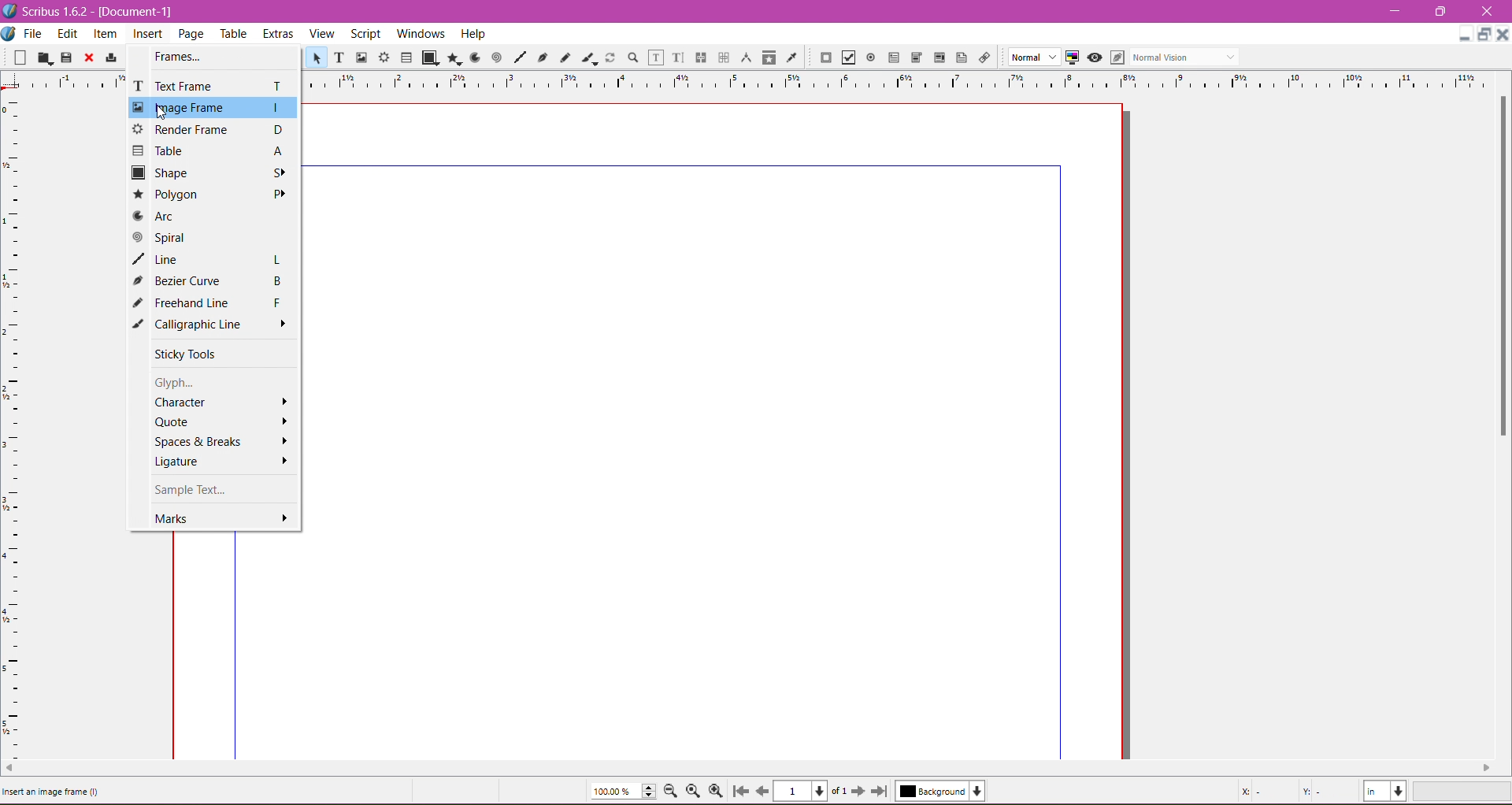 Image resolution: width=1512 pixels, height=805 pixels. Describe the element at coordinates (98, 12) in the screenshot. I see `Application Name, Version - Document Title` at that location.